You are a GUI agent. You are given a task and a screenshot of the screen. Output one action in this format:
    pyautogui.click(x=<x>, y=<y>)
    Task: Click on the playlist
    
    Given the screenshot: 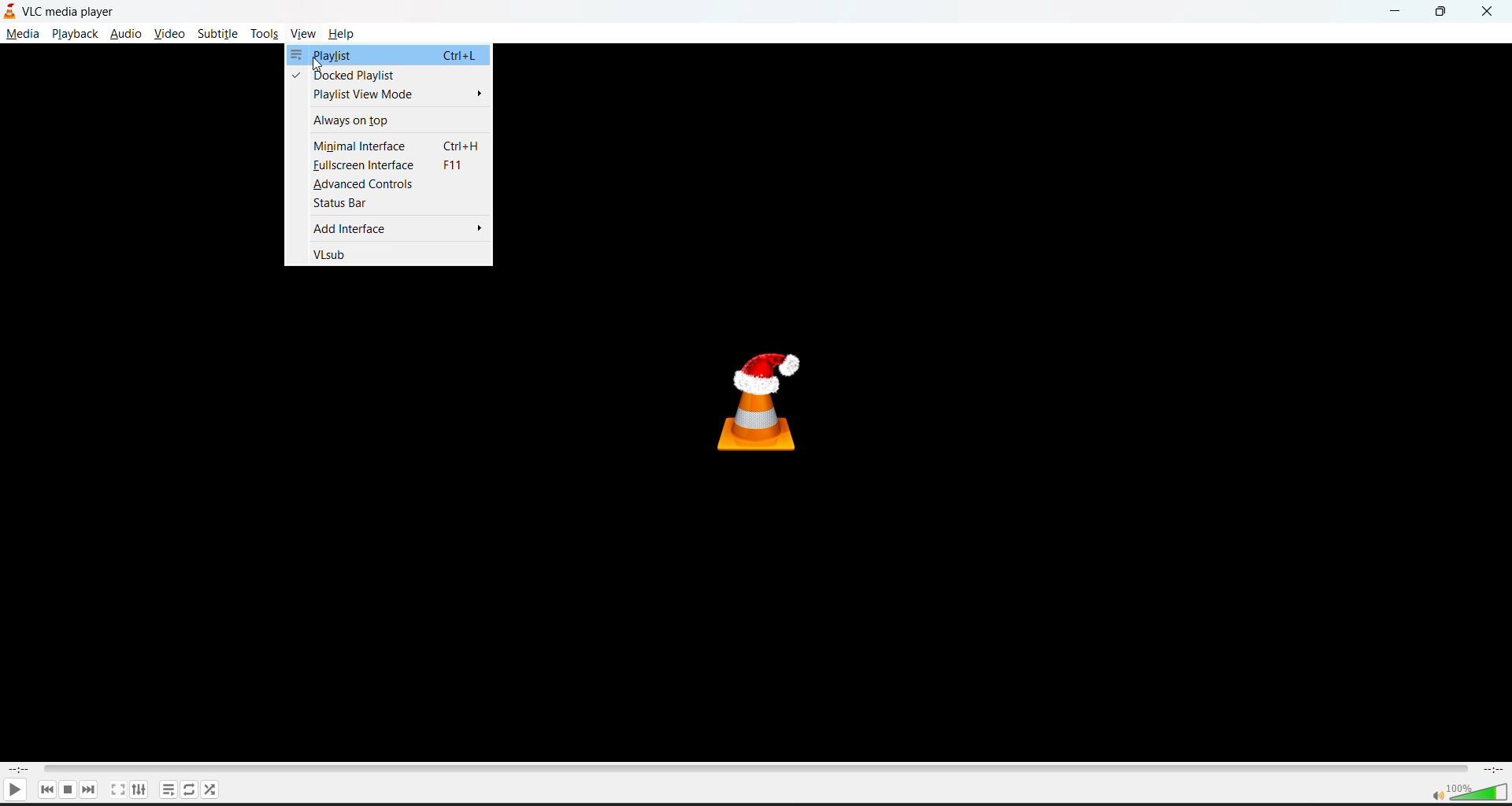 What is the action you would take?
    pyautogui.click(x=387, y=56)
    